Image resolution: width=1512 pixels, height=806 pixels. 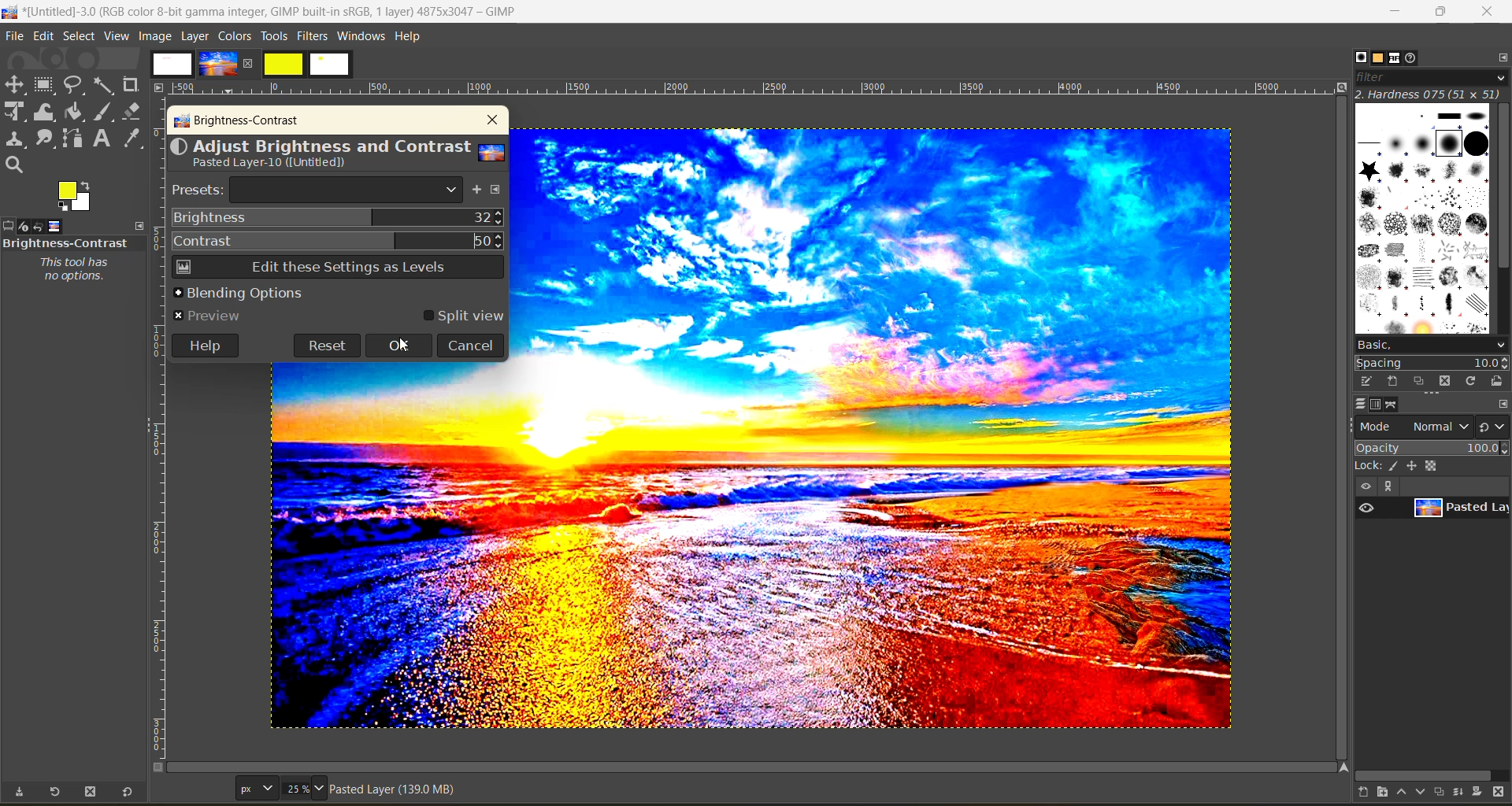 What do you see at coordinates (1499, 57) in the screenshot?
I see `configure` at bounding box center [1499, 57].